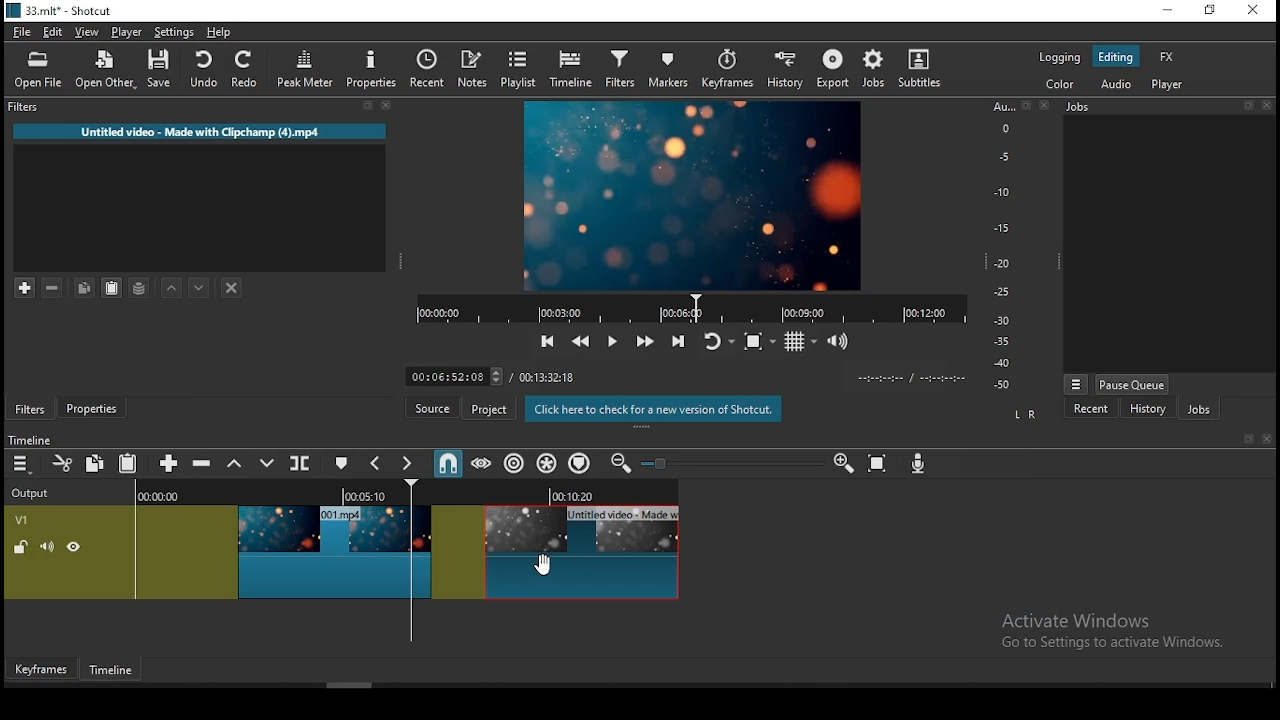  I want to click on menu, so click(22, 464).